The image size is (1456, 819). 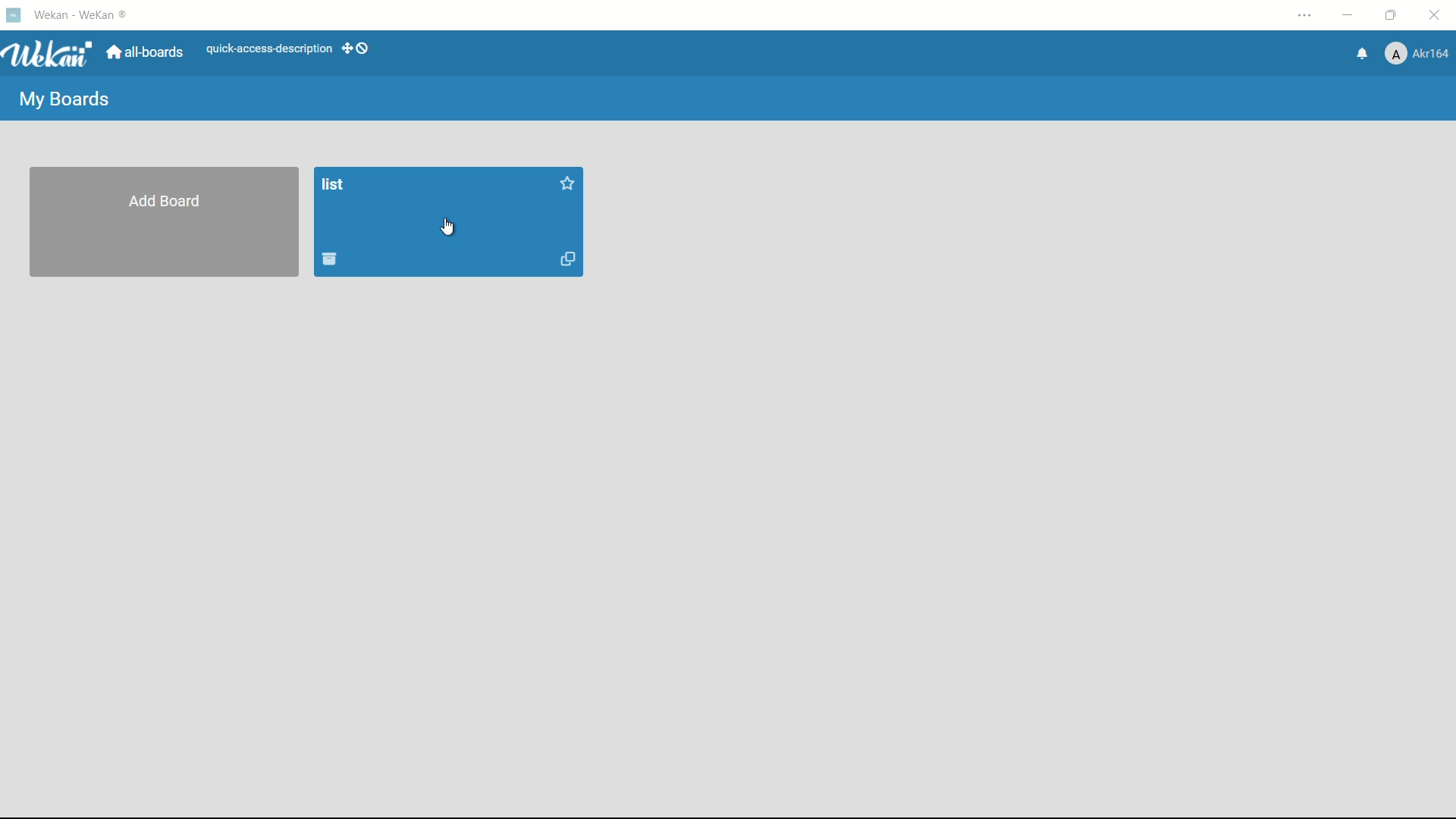 I want to click on star, so click(x=567, y=186).